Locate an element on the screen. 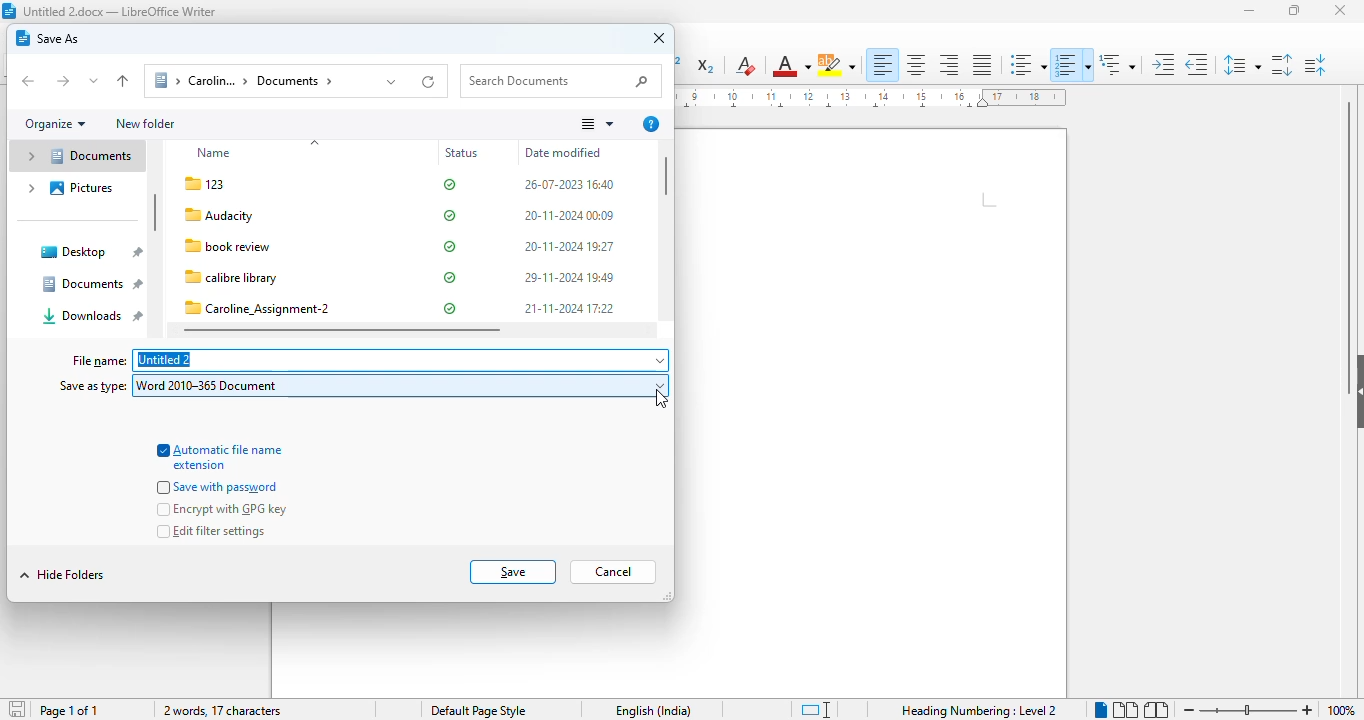 The image size is (1364, 720). standard selection is located at coordinates (815, 710).